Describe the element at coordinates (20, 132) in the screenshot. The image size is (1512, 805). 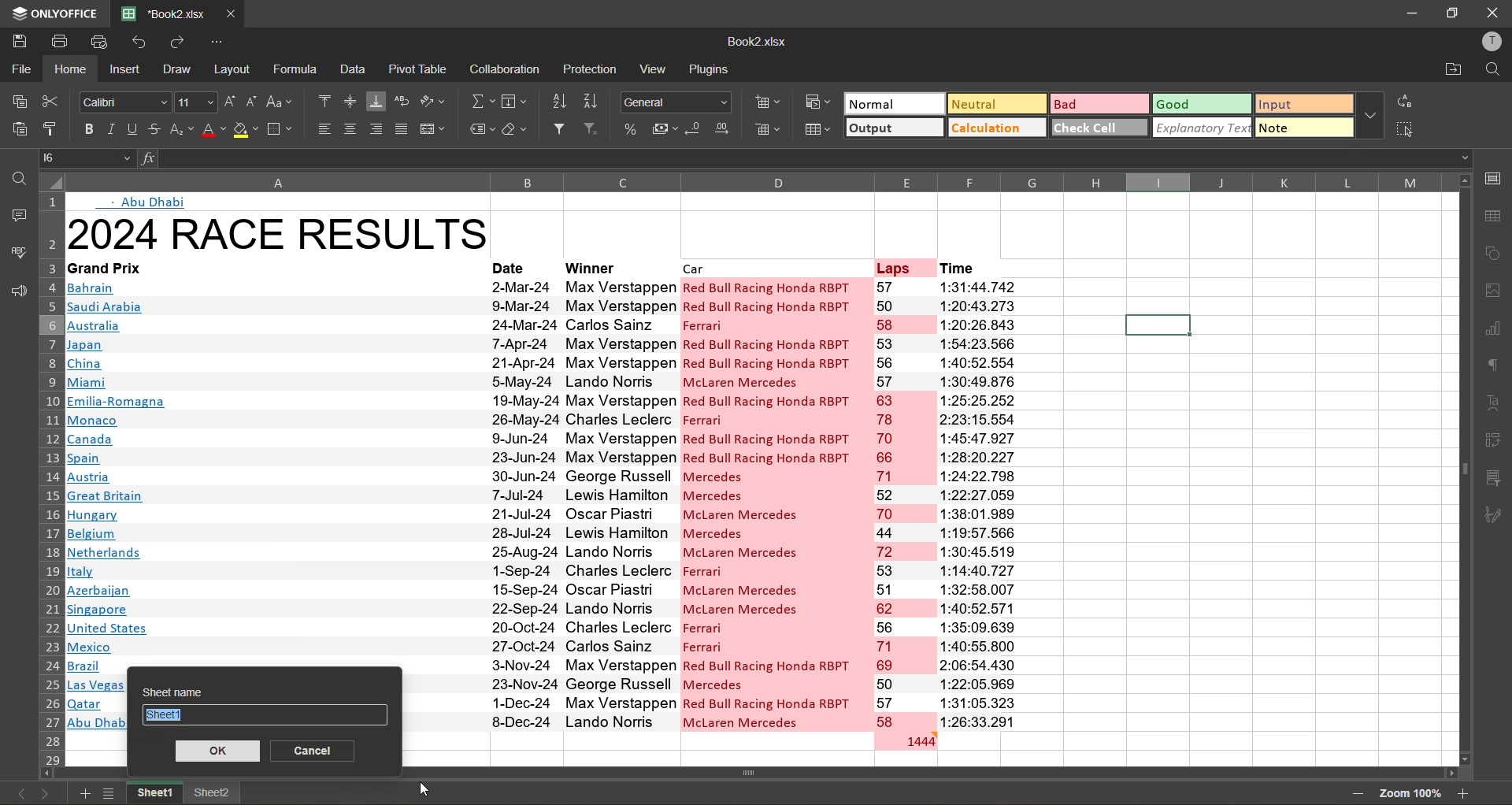
I see `paste` at that location.